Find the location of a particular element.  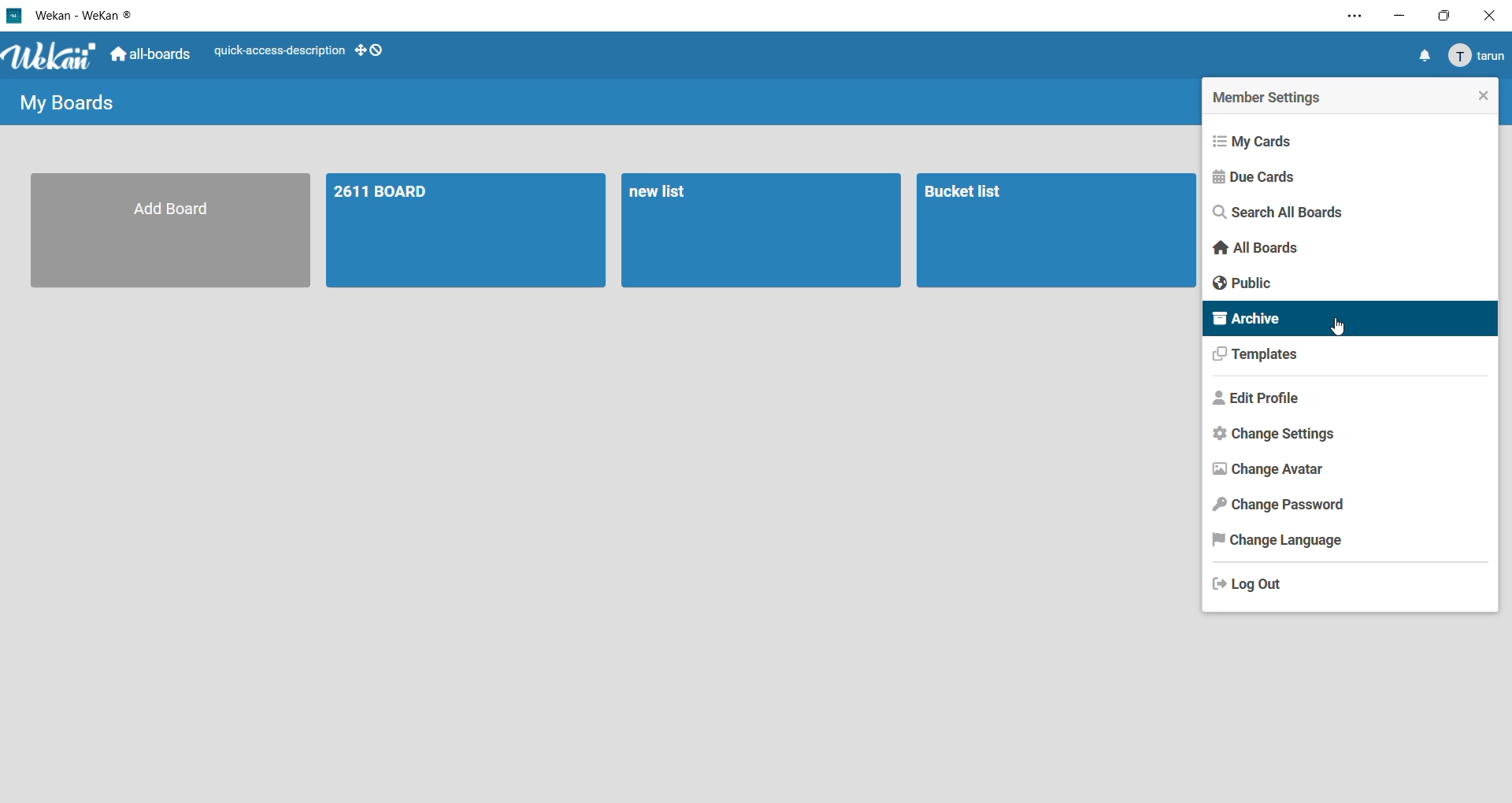

change avatar is located at coordinates (1267, 471).